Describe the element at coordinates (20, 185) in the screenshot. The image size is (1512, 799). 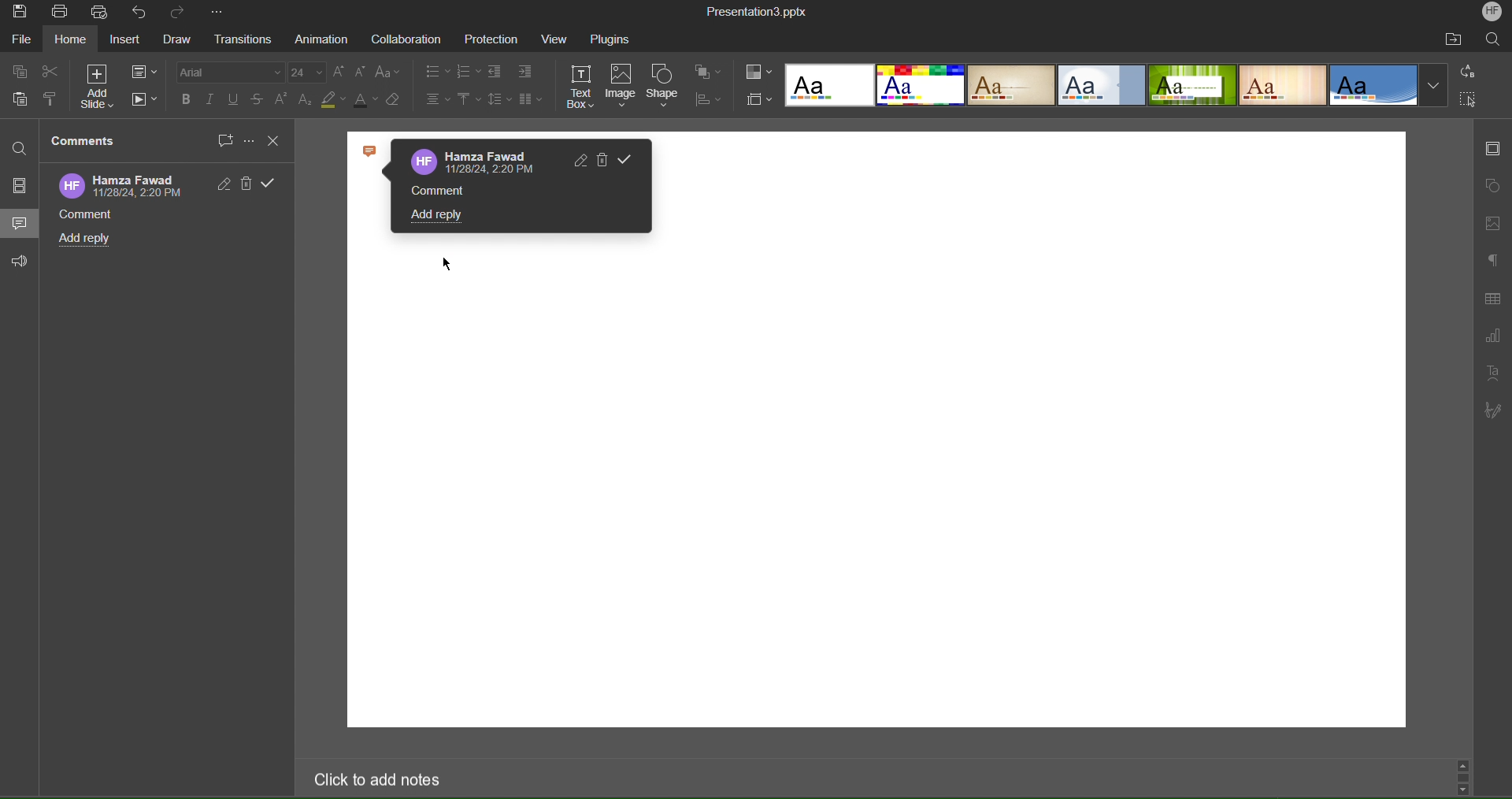
I see `Slides` at that location.